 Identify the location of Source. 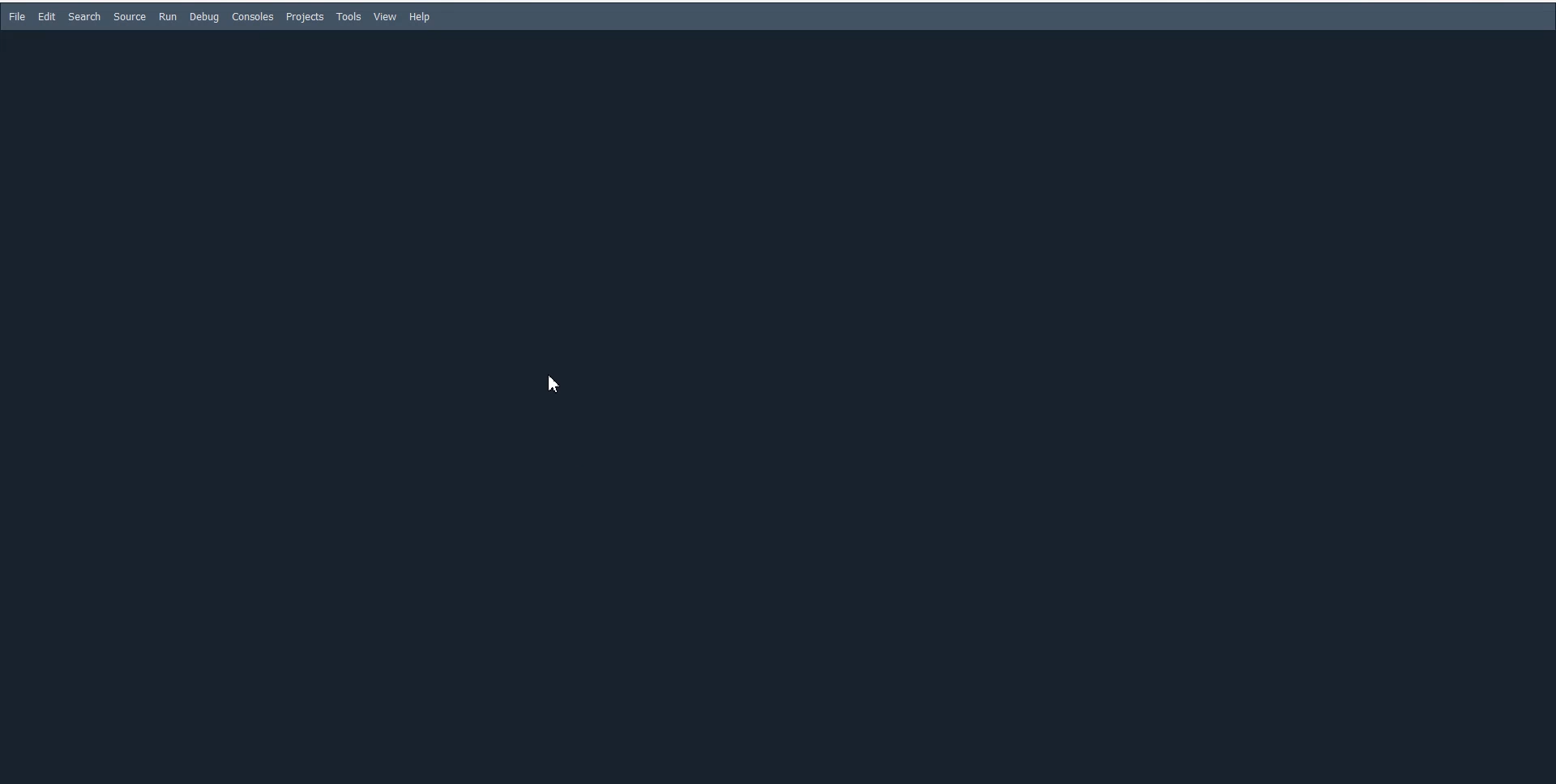
(129, 17).